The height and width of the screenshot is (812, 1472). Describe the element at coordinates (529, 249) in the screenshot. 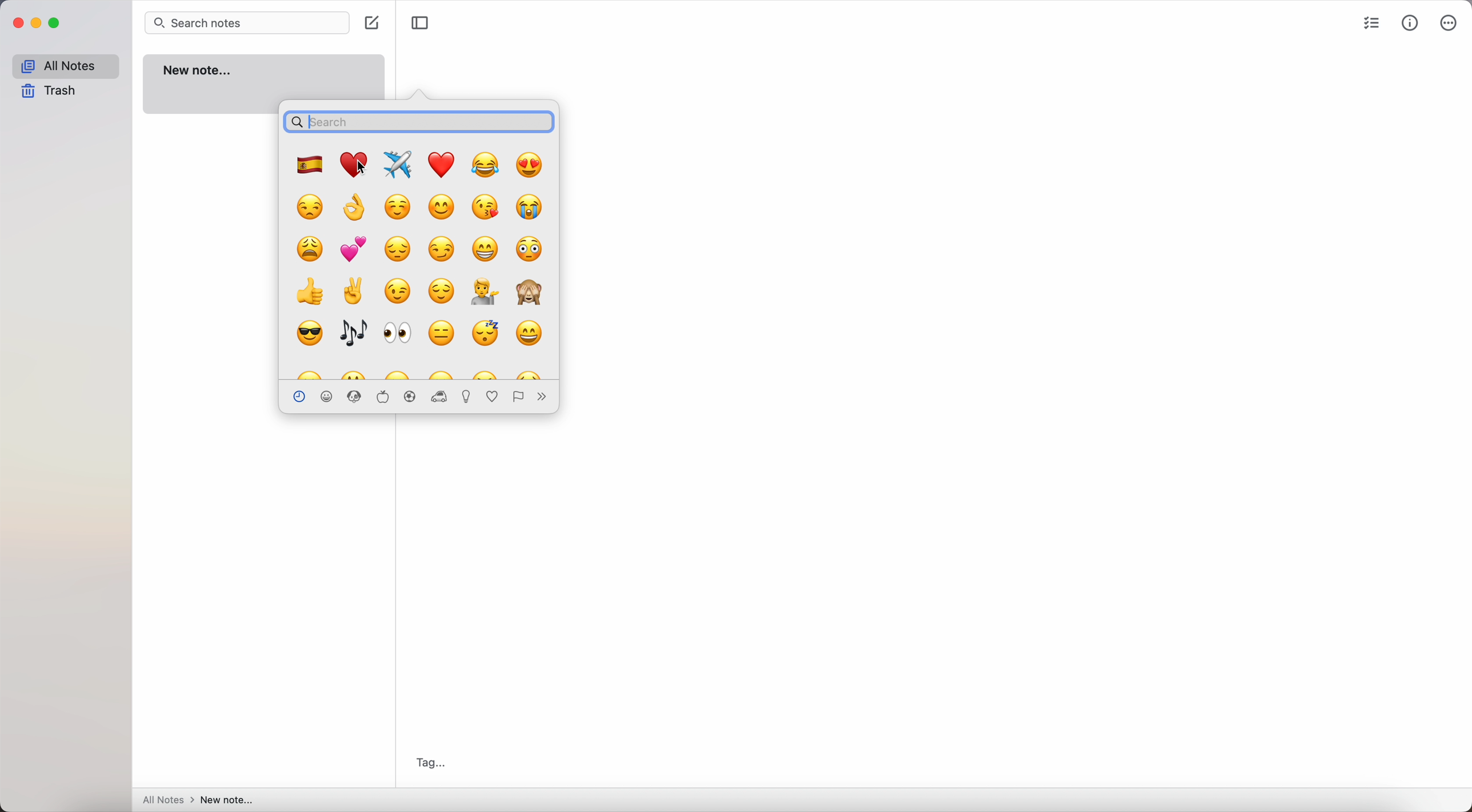

I see `emoji` at that location.